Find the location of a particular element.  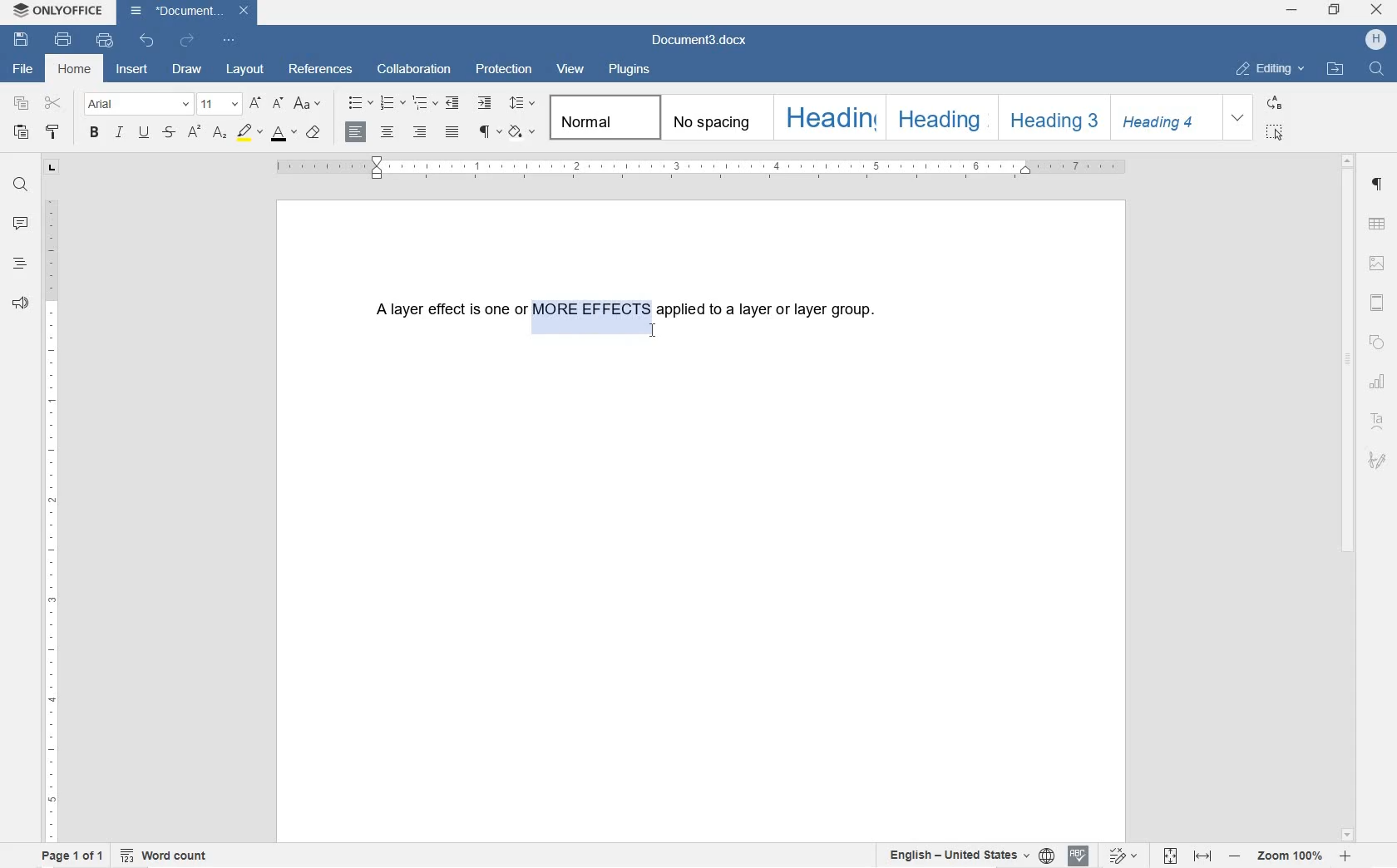

CHANGE CASE is located at coordinates (309, 104).